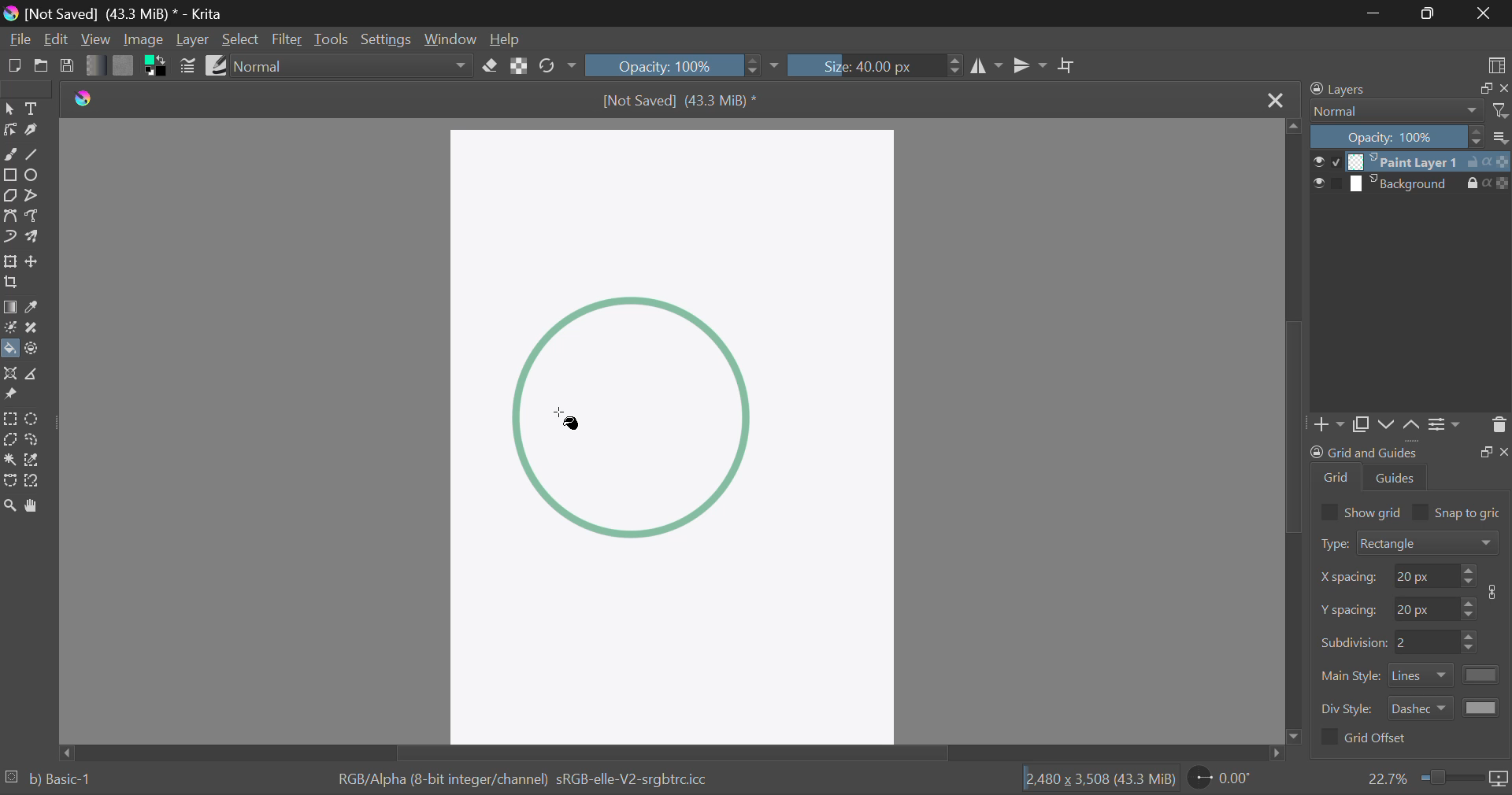  Describe the element at coordinates (1274, 100) in the screenshot. I see `Close` at that location.